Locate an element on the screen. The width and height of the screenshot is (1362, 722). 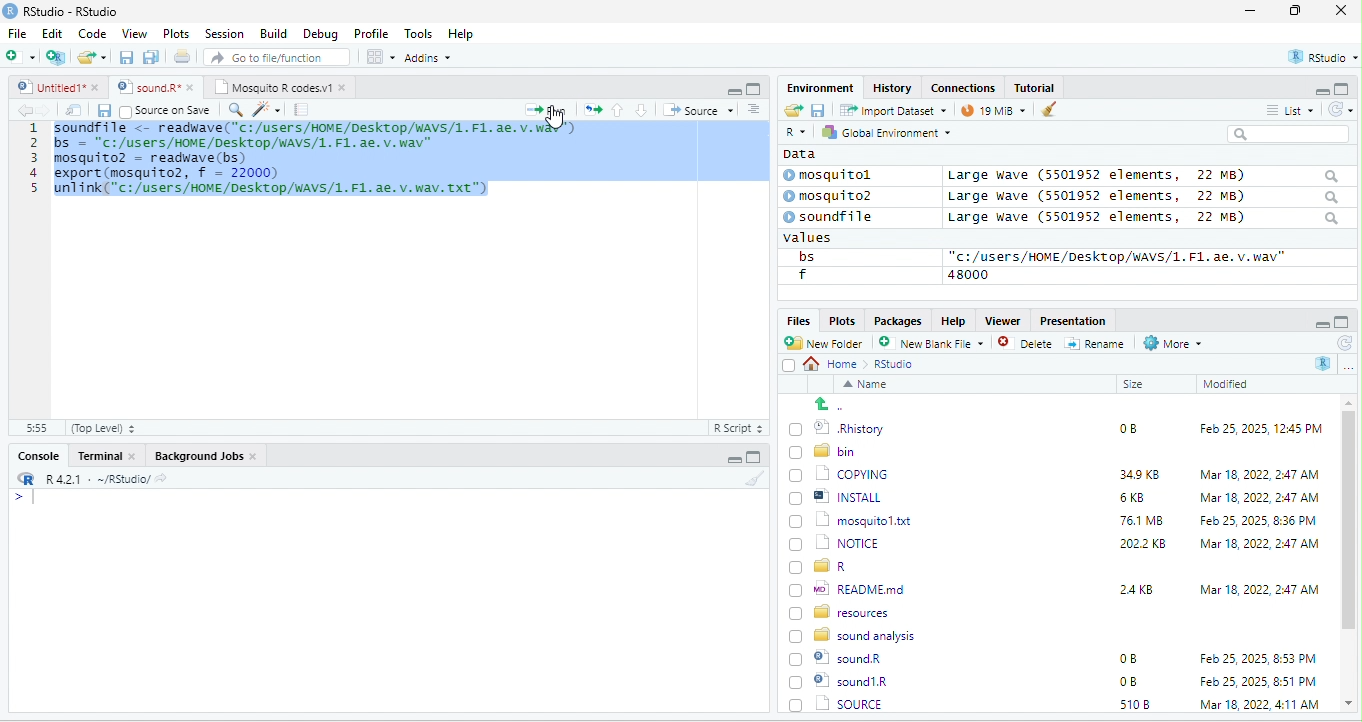
search is located at coordinates (235, 108).